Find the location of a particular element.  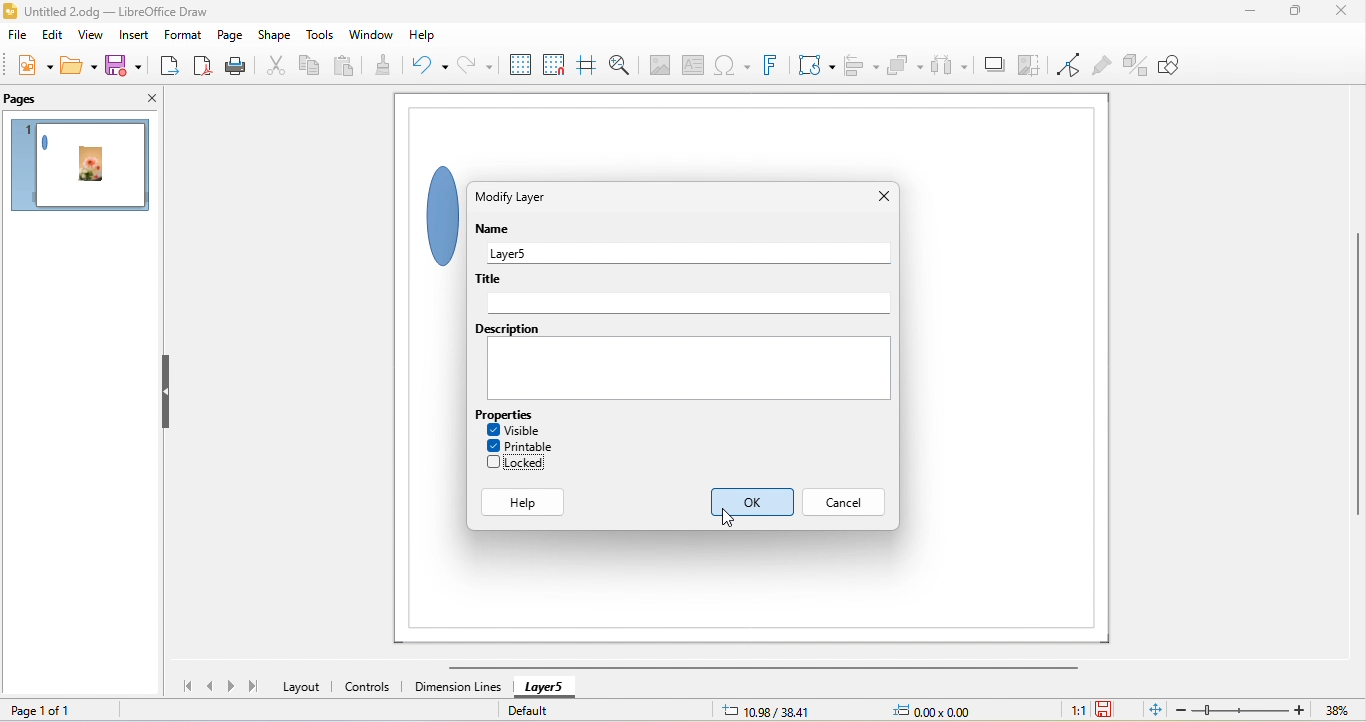

tools is located at coordinates (321, 36).